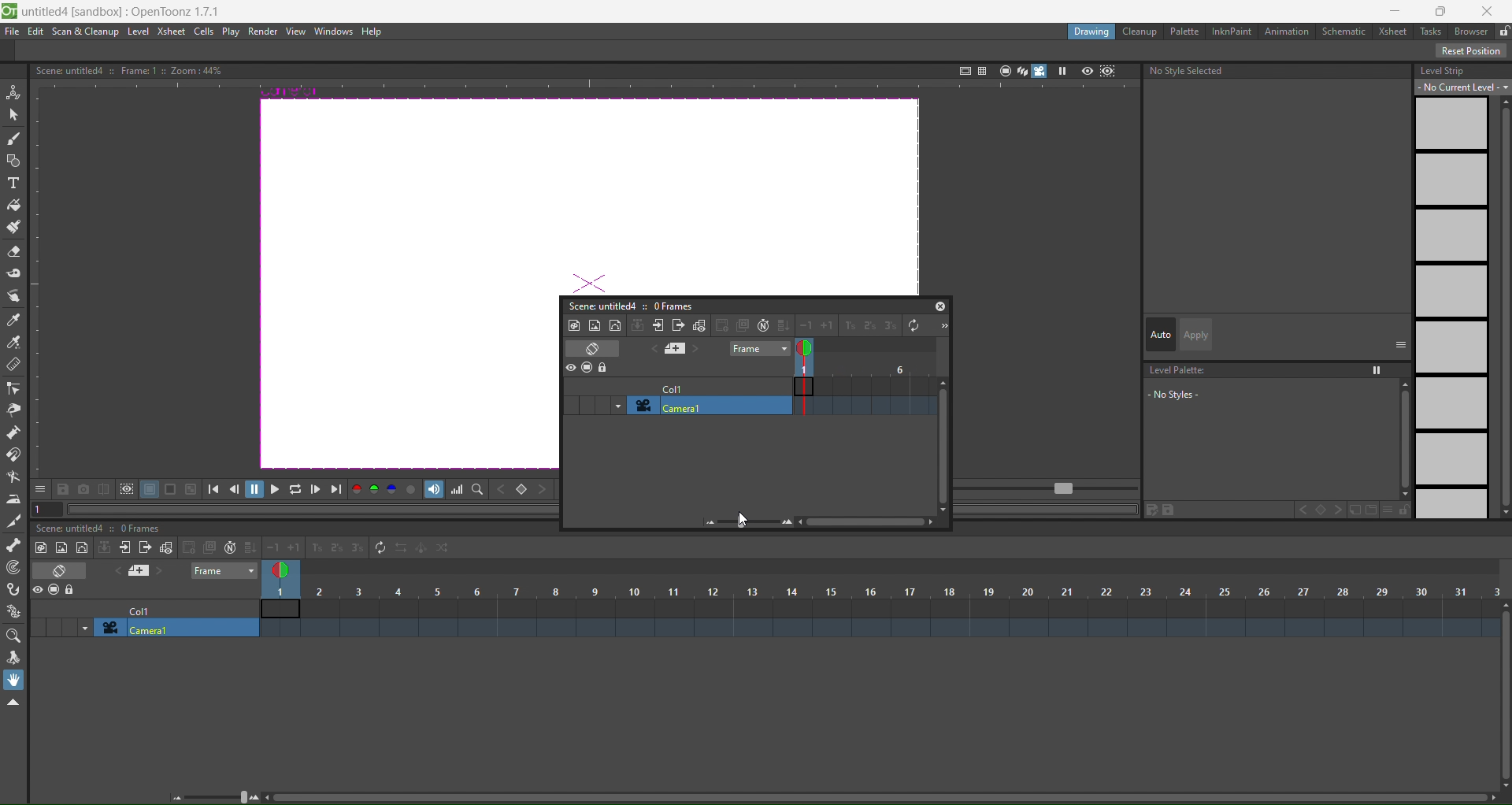 This screenshot has height=805, width=1512. I want to click on increase step, so click(847, 327).